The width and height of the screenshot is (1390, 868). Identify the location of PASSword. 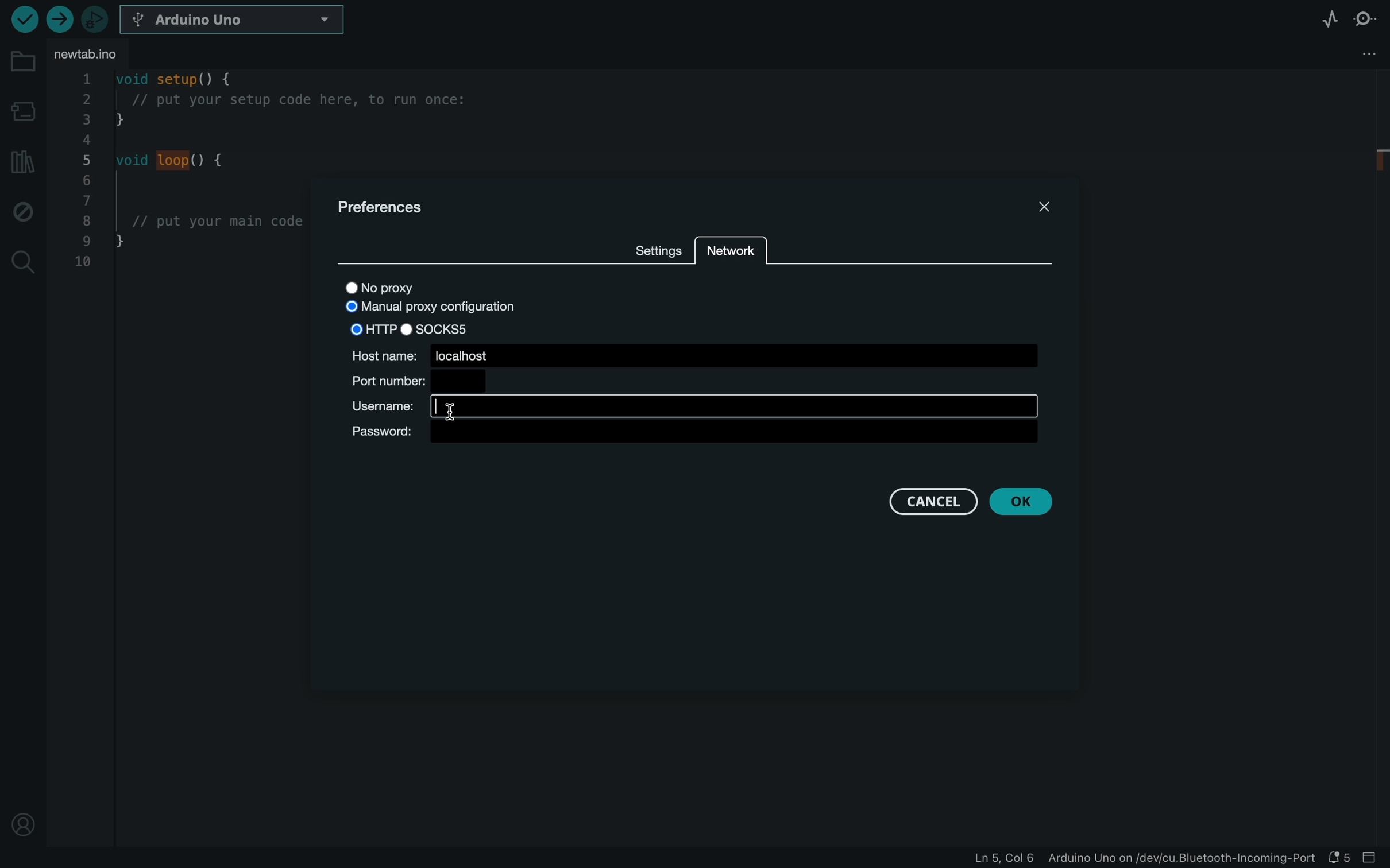
(693, 433).